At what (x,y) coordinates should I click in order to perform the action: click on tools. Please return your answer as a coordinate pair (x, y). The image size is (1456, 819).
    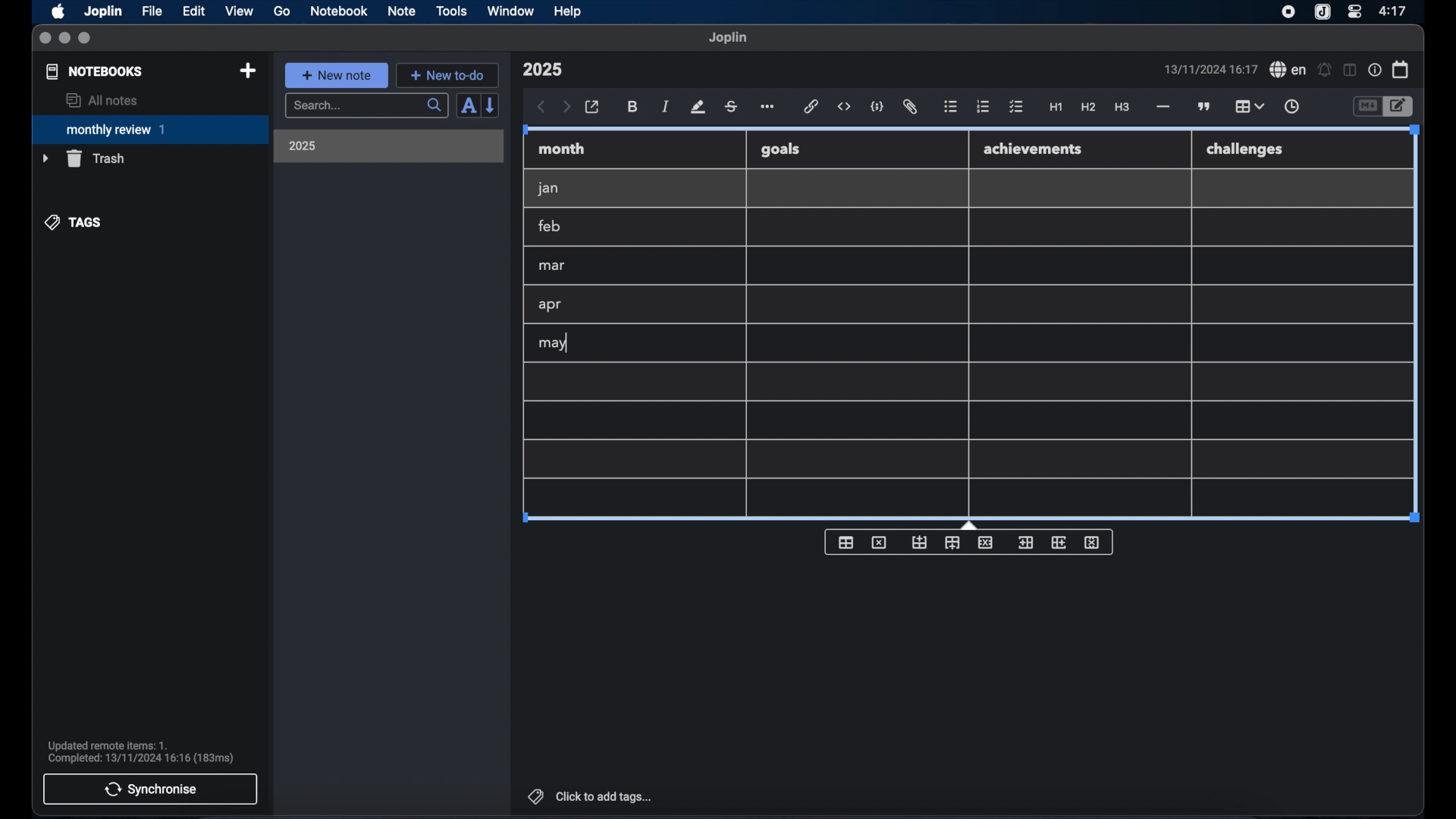
    Looking at the image, I should click on (451, 11).